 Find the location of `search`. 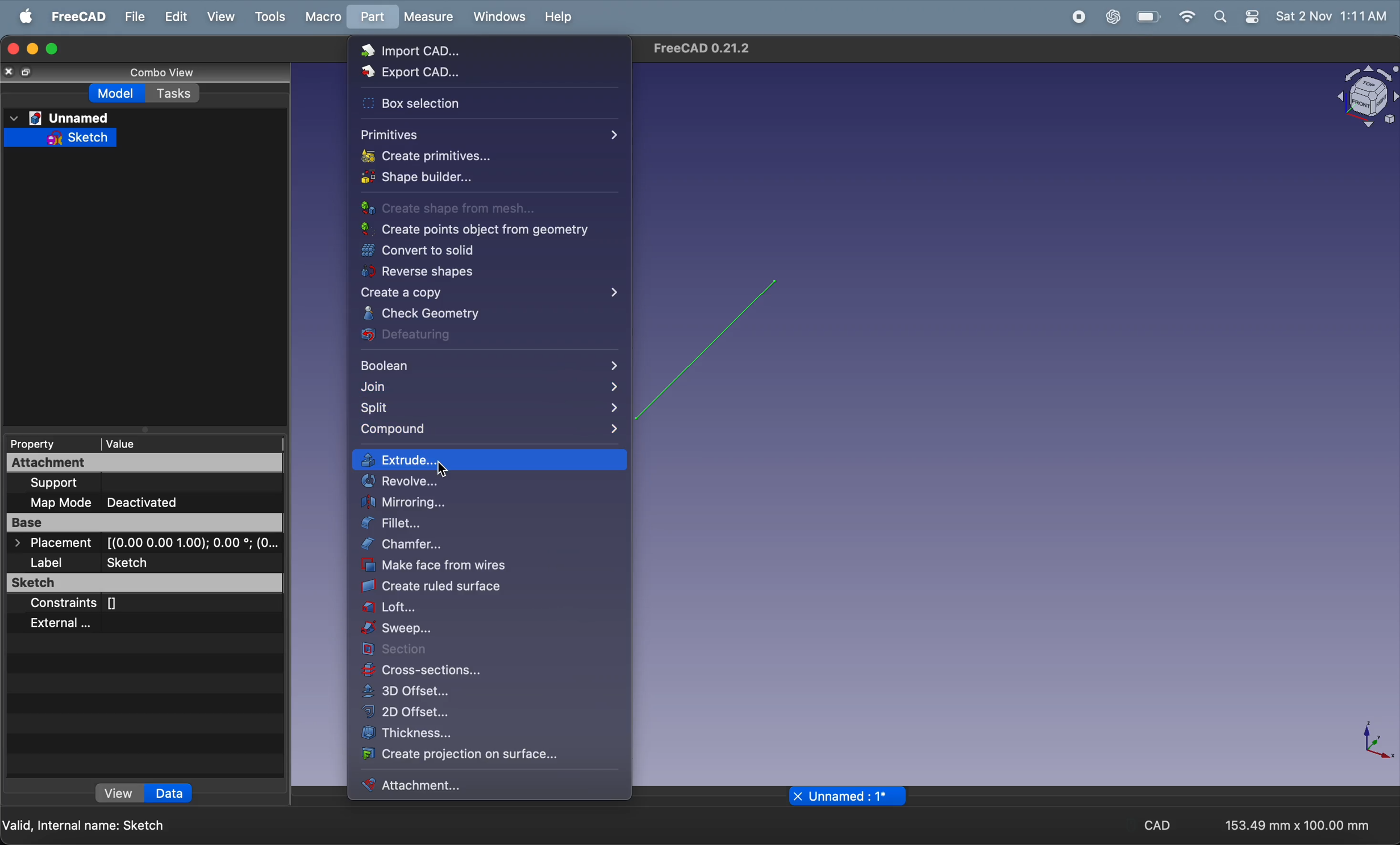

search is located at coordinates (1221, 18).